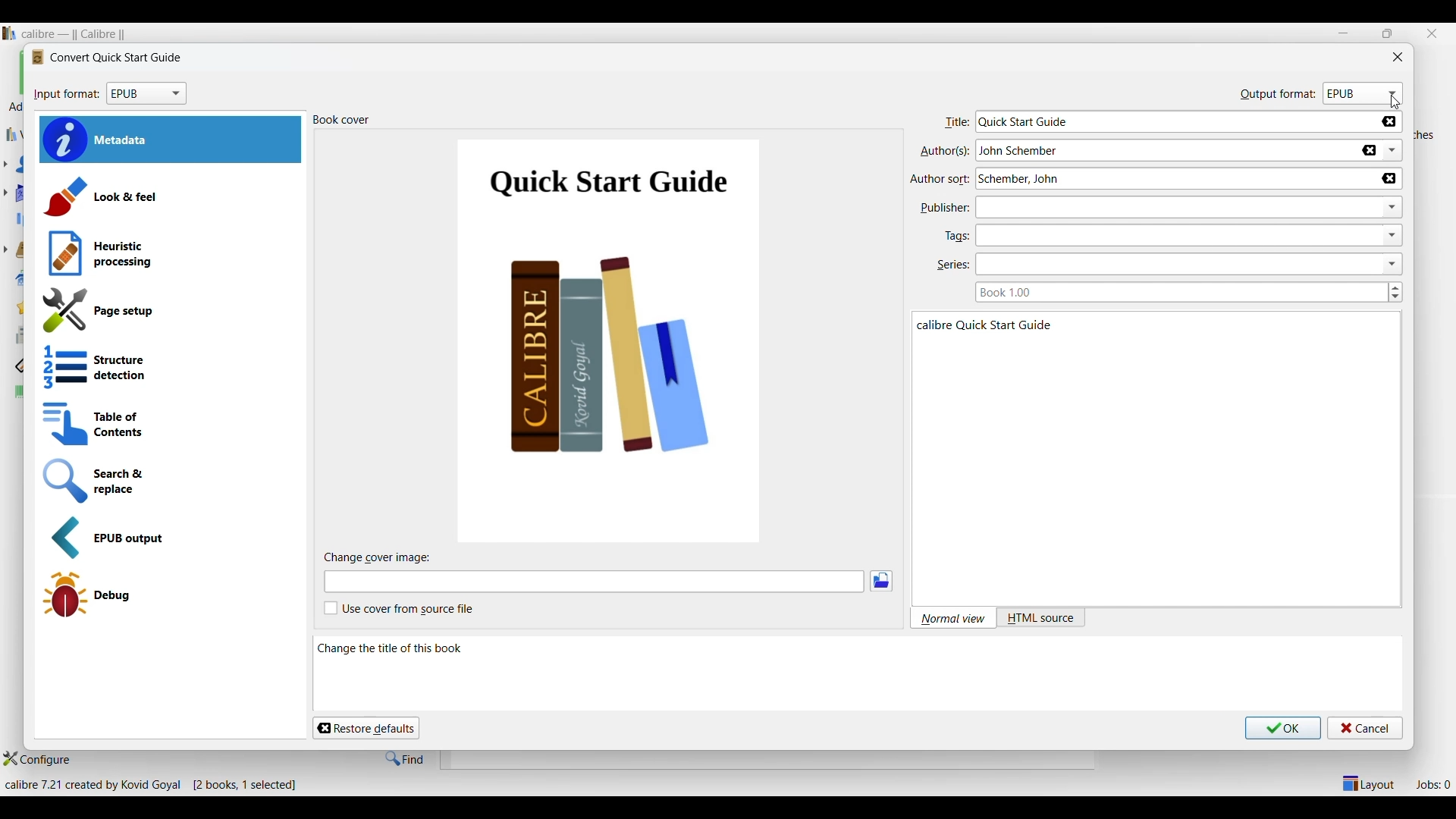  Describe the element at coordinates (943, 209) in the screenshot. I see `publisher` at that location.